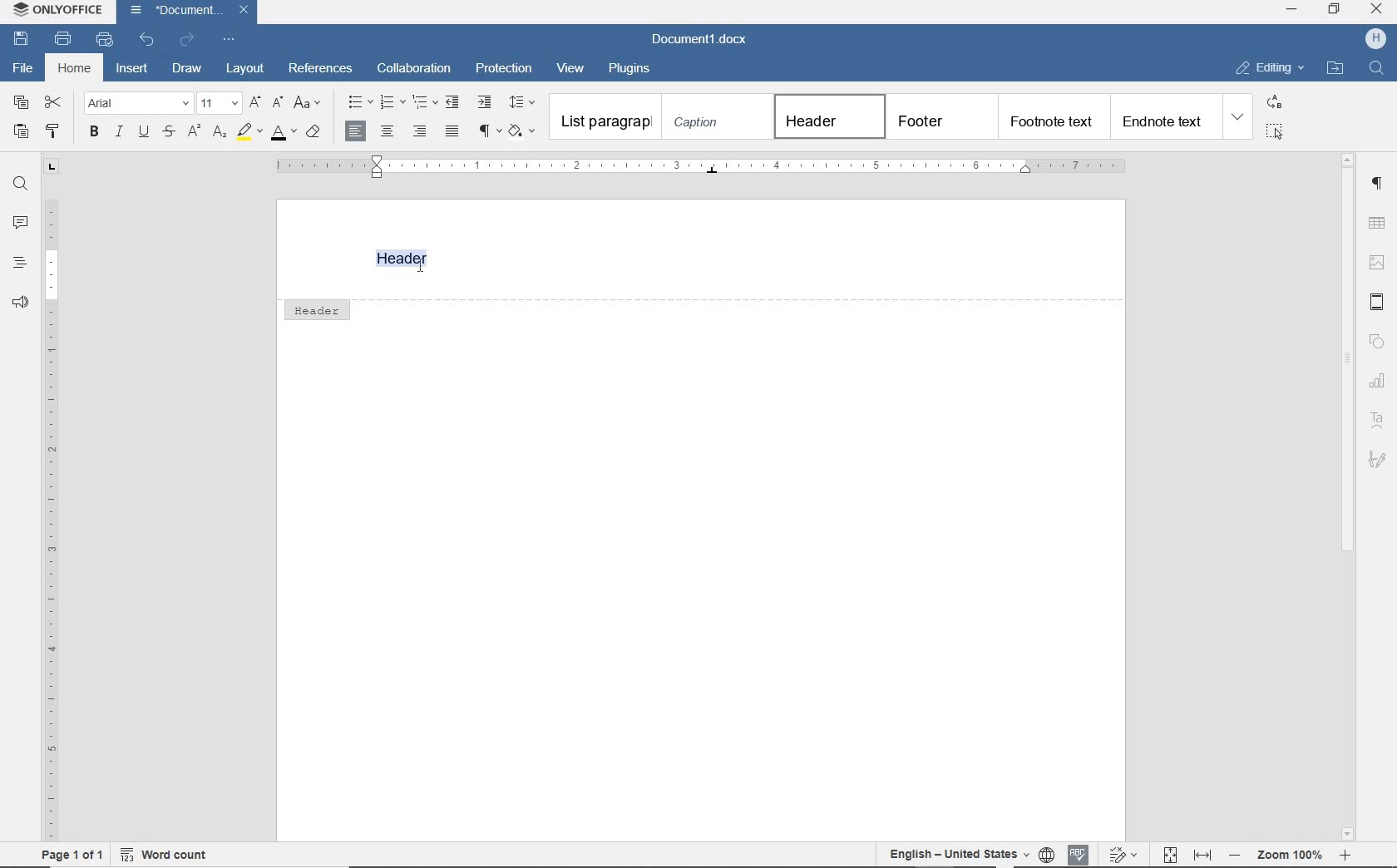 The height and width of the screenshot is (868, 1397). I want to click on italic, so click(118, 133).